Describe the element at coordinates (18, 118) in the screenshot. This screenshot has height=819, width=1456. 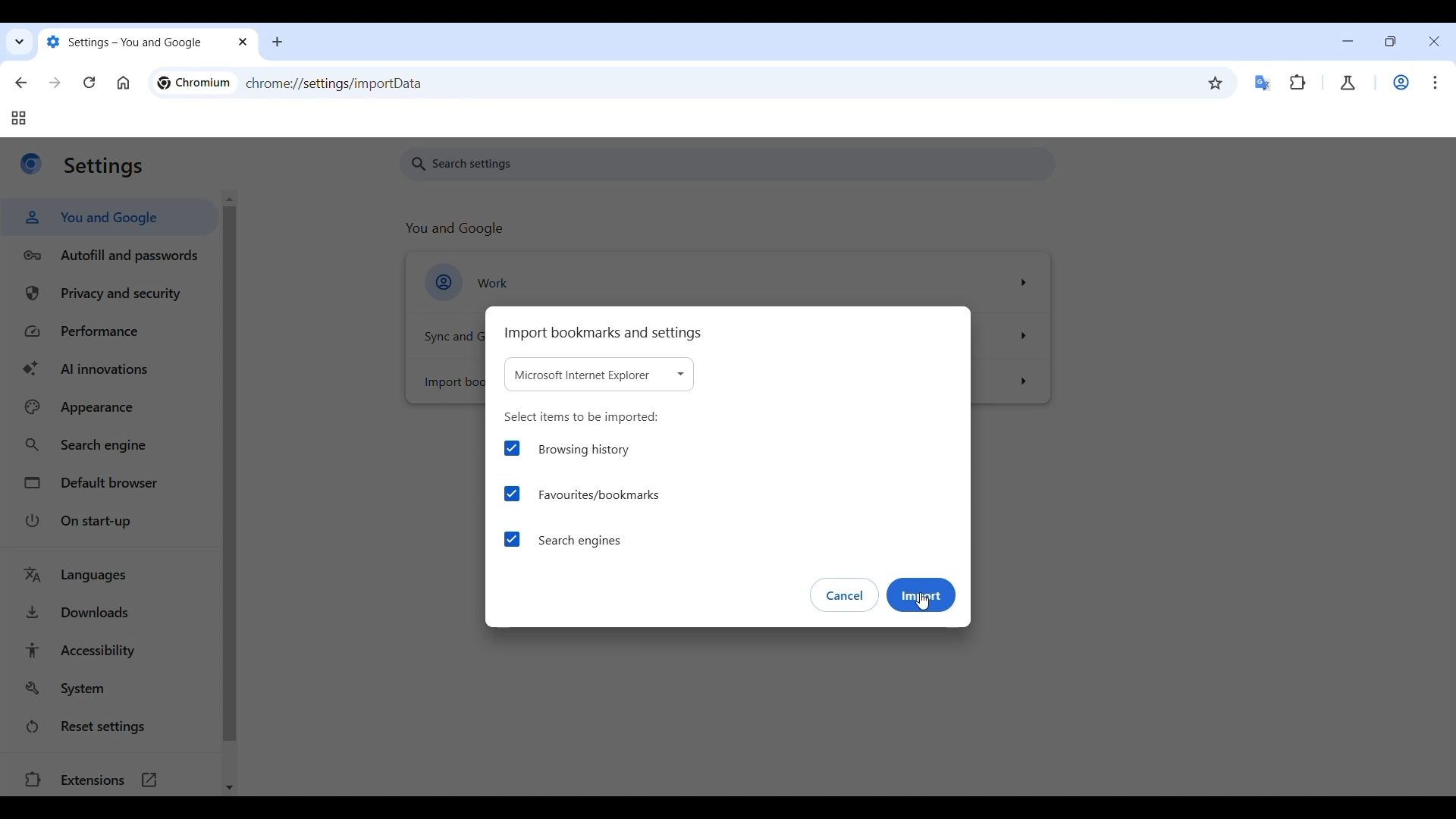
I see `Tab groups` at that location.